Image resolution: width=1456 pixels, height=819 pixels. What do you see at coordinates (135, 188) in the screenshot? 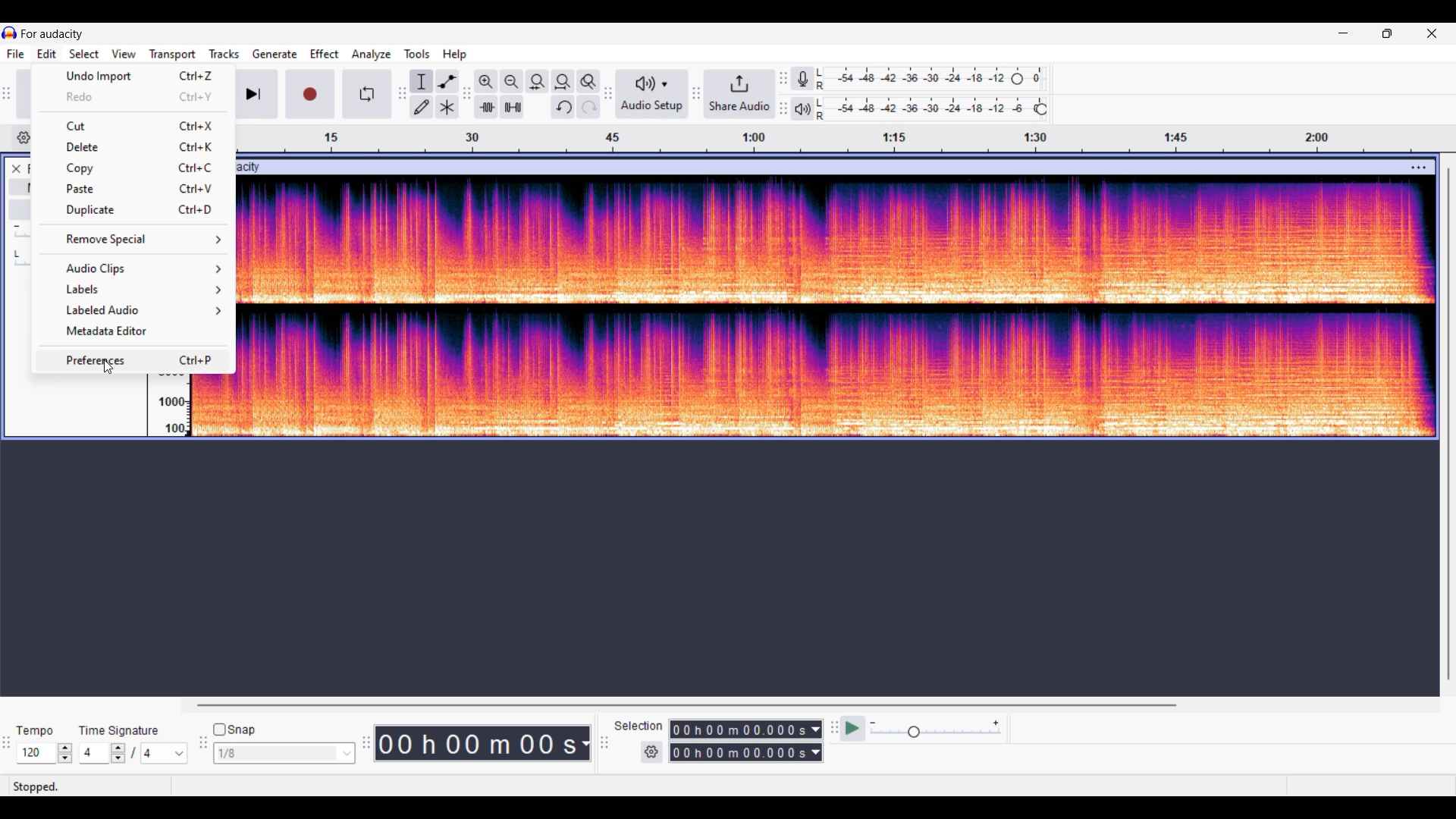
I see `Paste` at bounding box center [135, 188].